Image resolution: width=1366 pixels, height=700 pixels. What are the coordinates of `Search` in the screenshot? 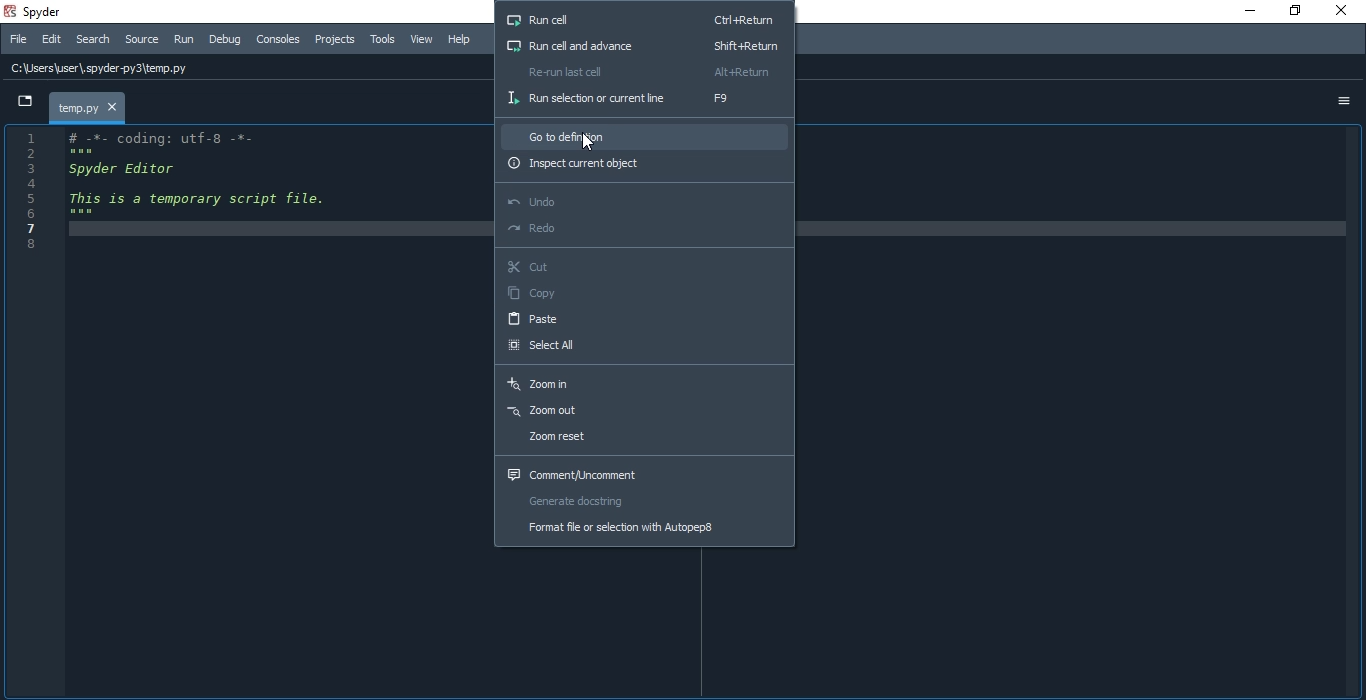 It's located at (93, 39).